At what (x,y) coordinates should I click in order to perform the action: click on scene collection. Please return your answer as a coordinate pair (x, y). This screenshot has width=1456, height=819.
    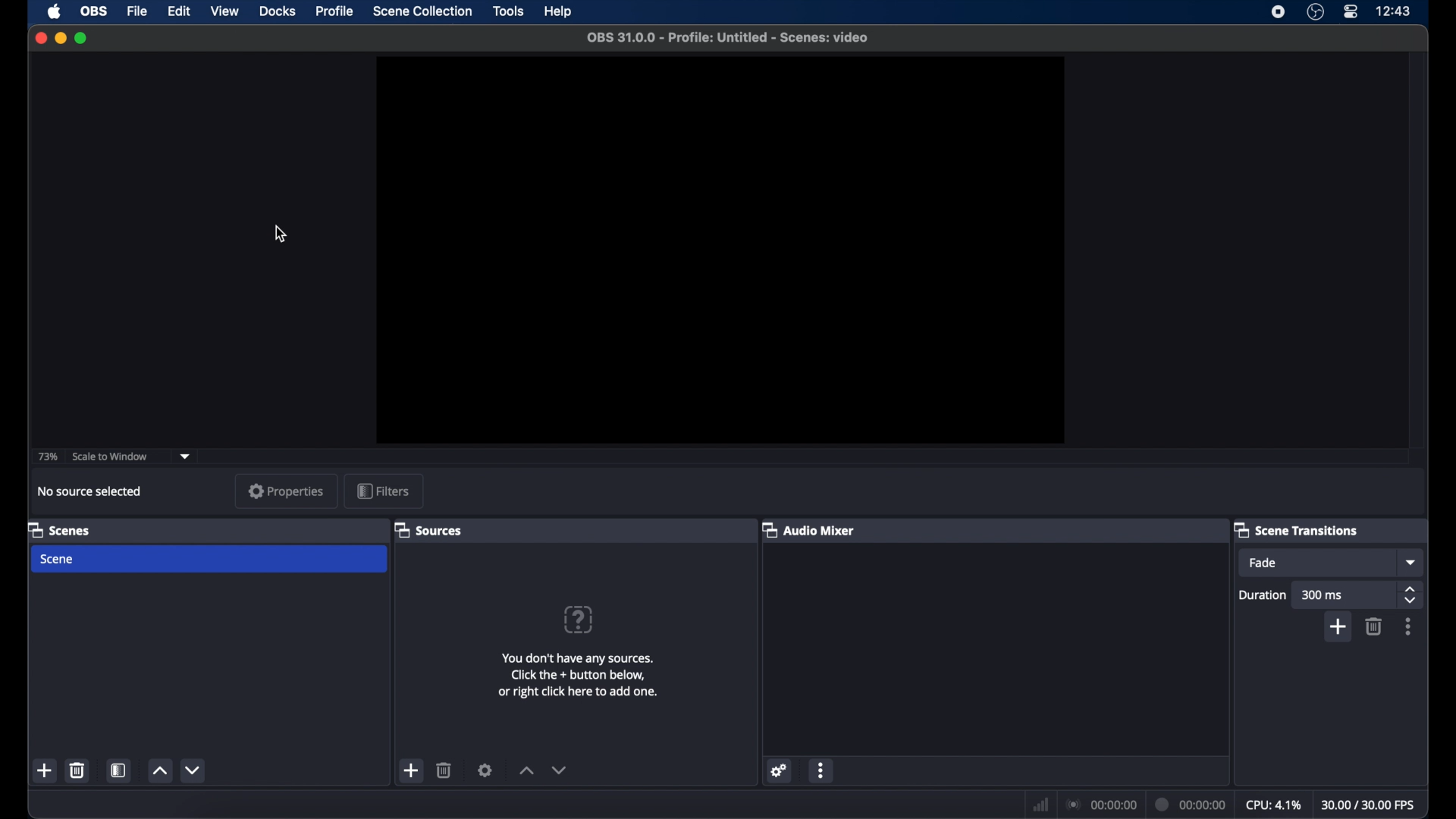
    Looking at the image, I should click on (422, 11).